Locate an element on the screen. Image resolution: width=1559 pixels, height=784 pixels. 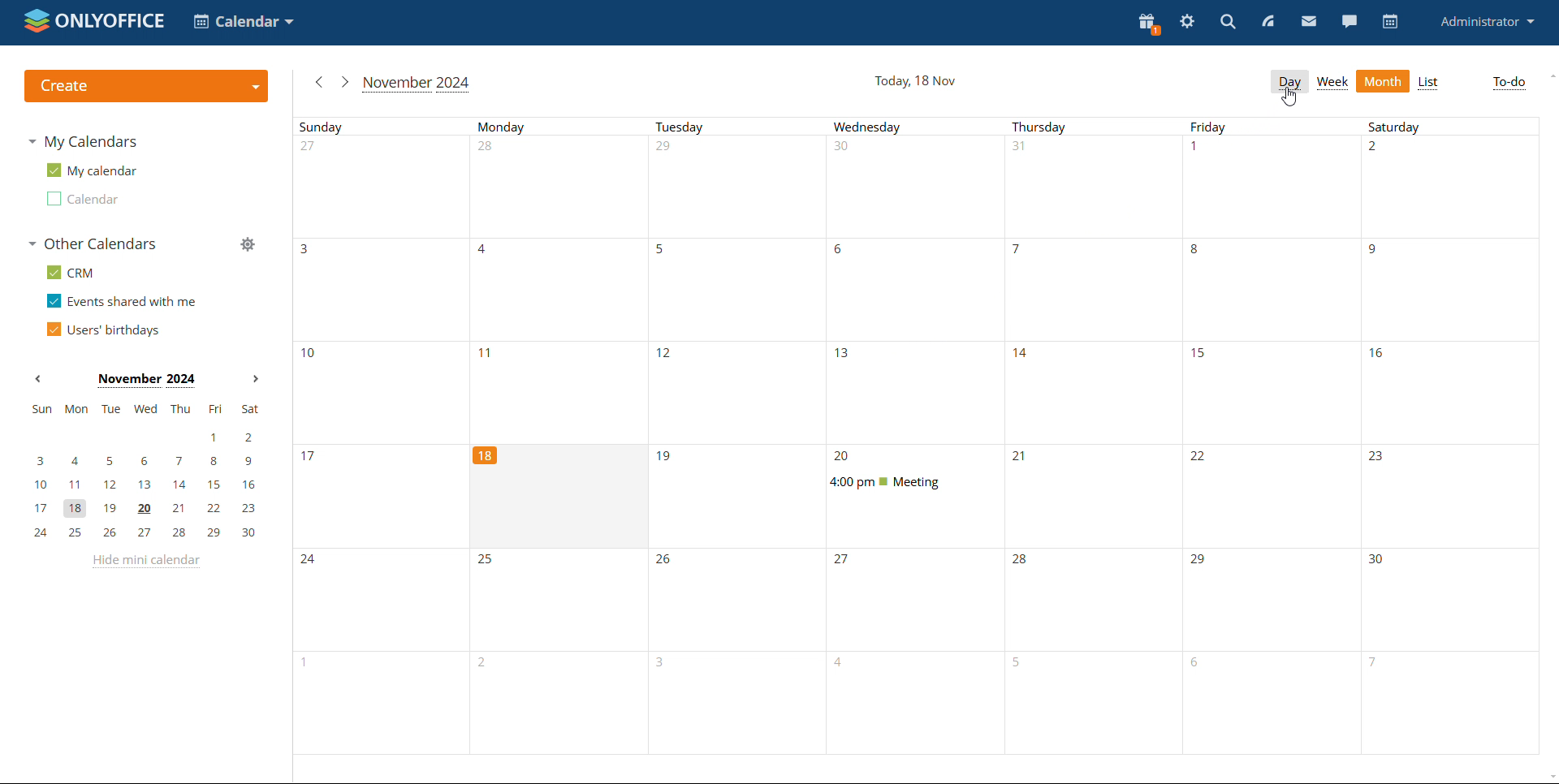
Sundays is located at coordinates (382, 446).